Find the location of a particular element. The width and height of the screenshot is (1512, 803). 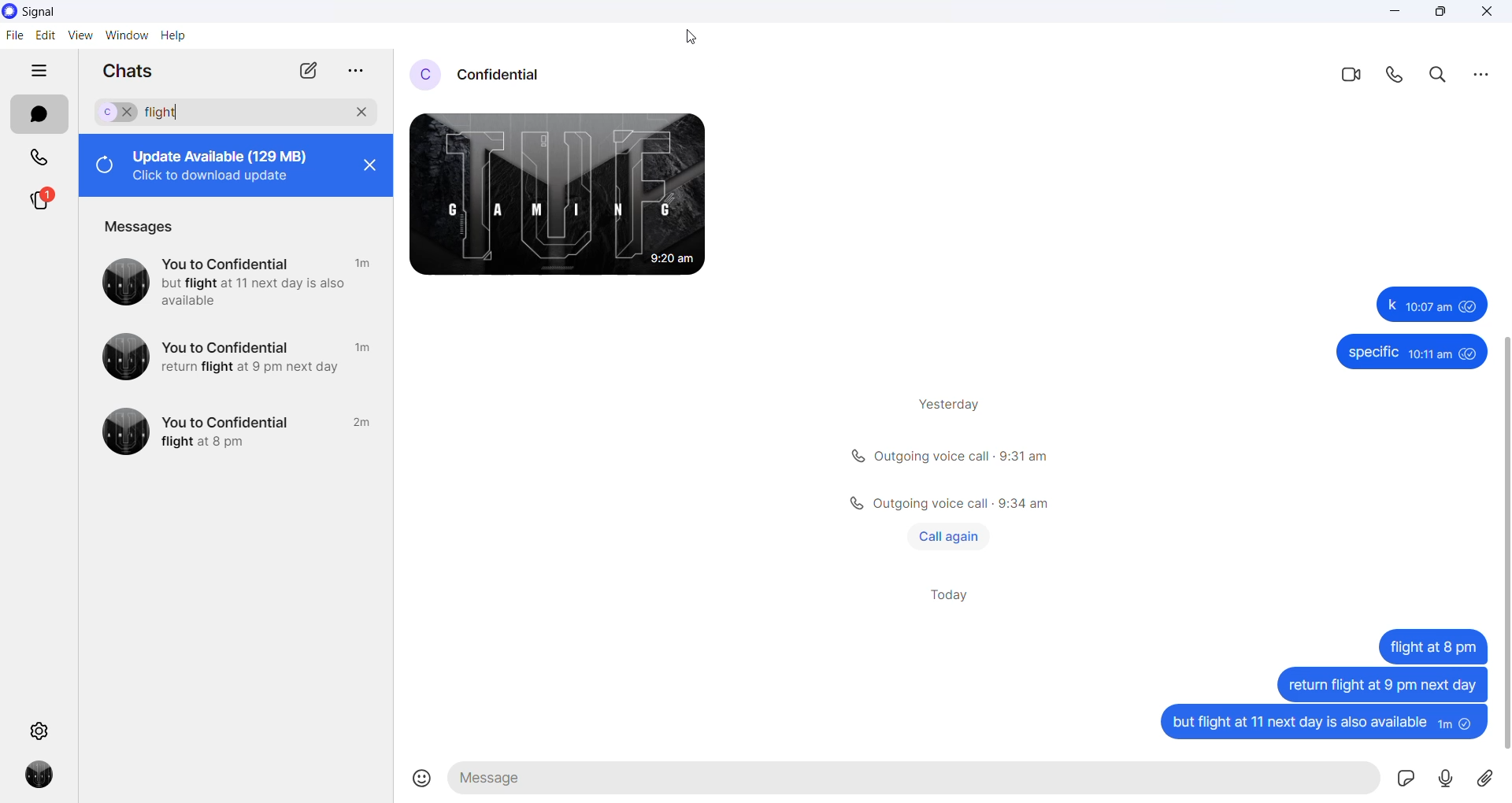

 is located at coordinates (1432, 646).